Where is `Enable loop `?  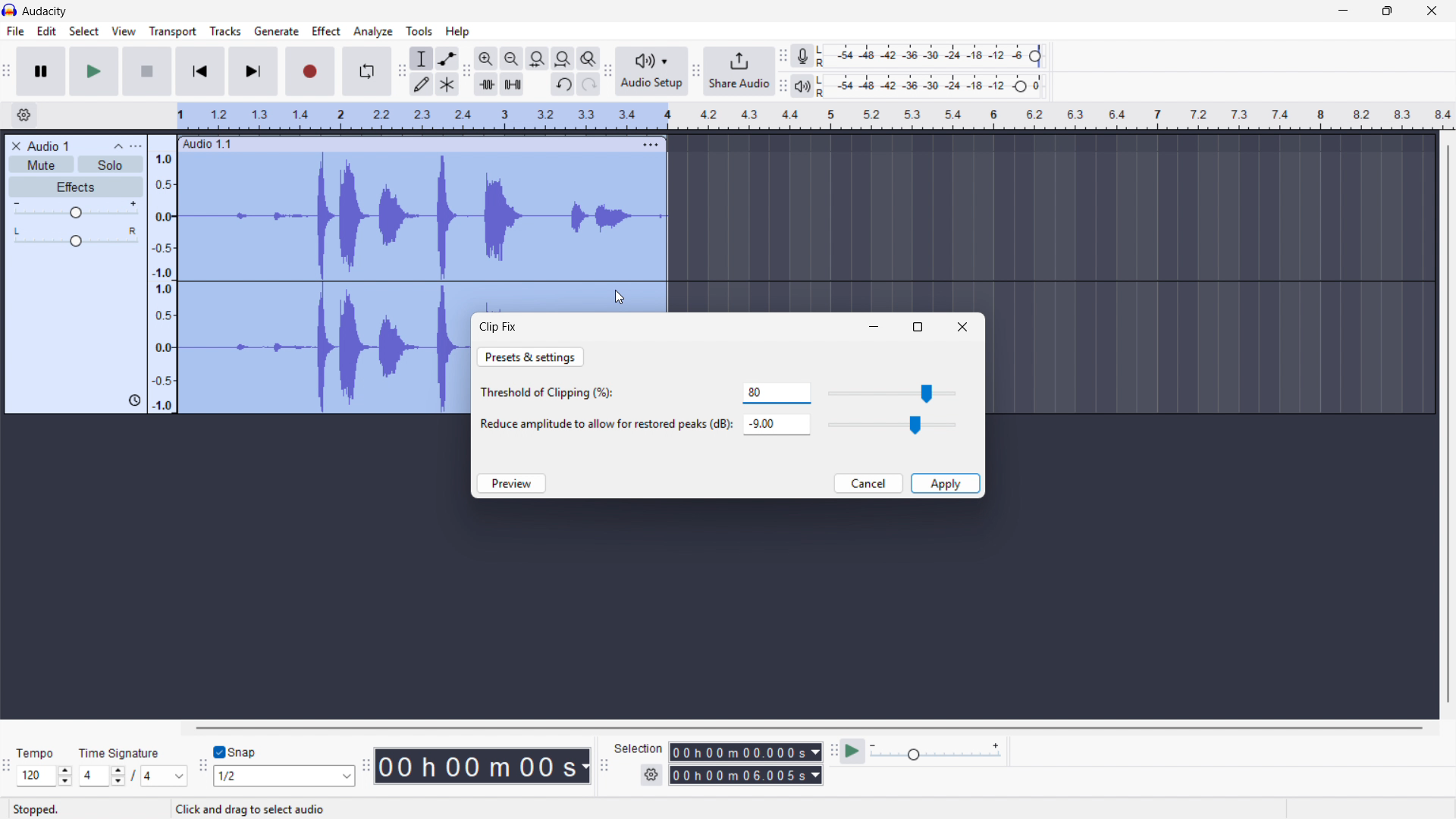 Enable loop  is located at coordinates (367, 71).